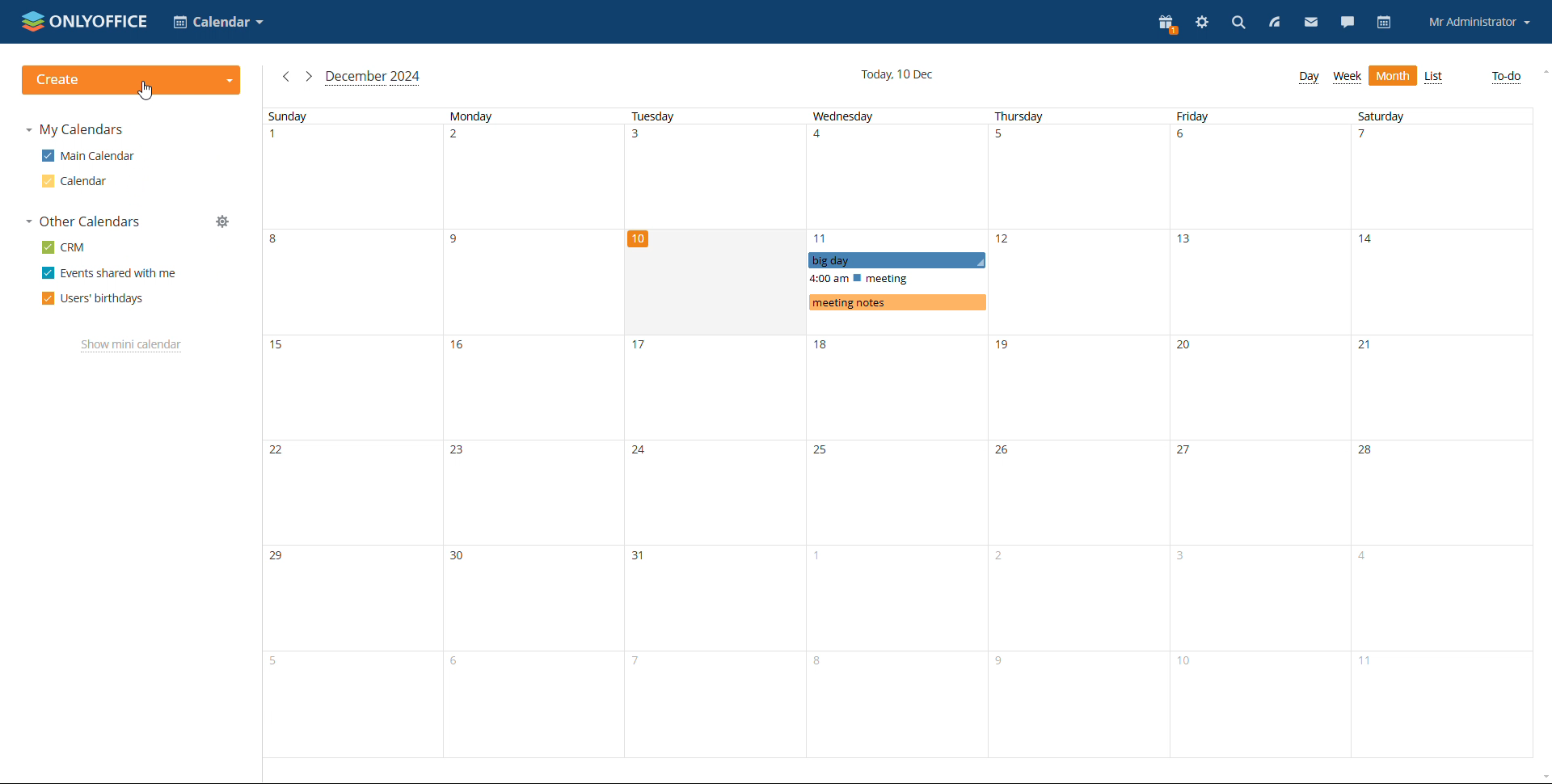 This screenshot has height=784, width=1552. I want to click on feed, so click(1274, 23).